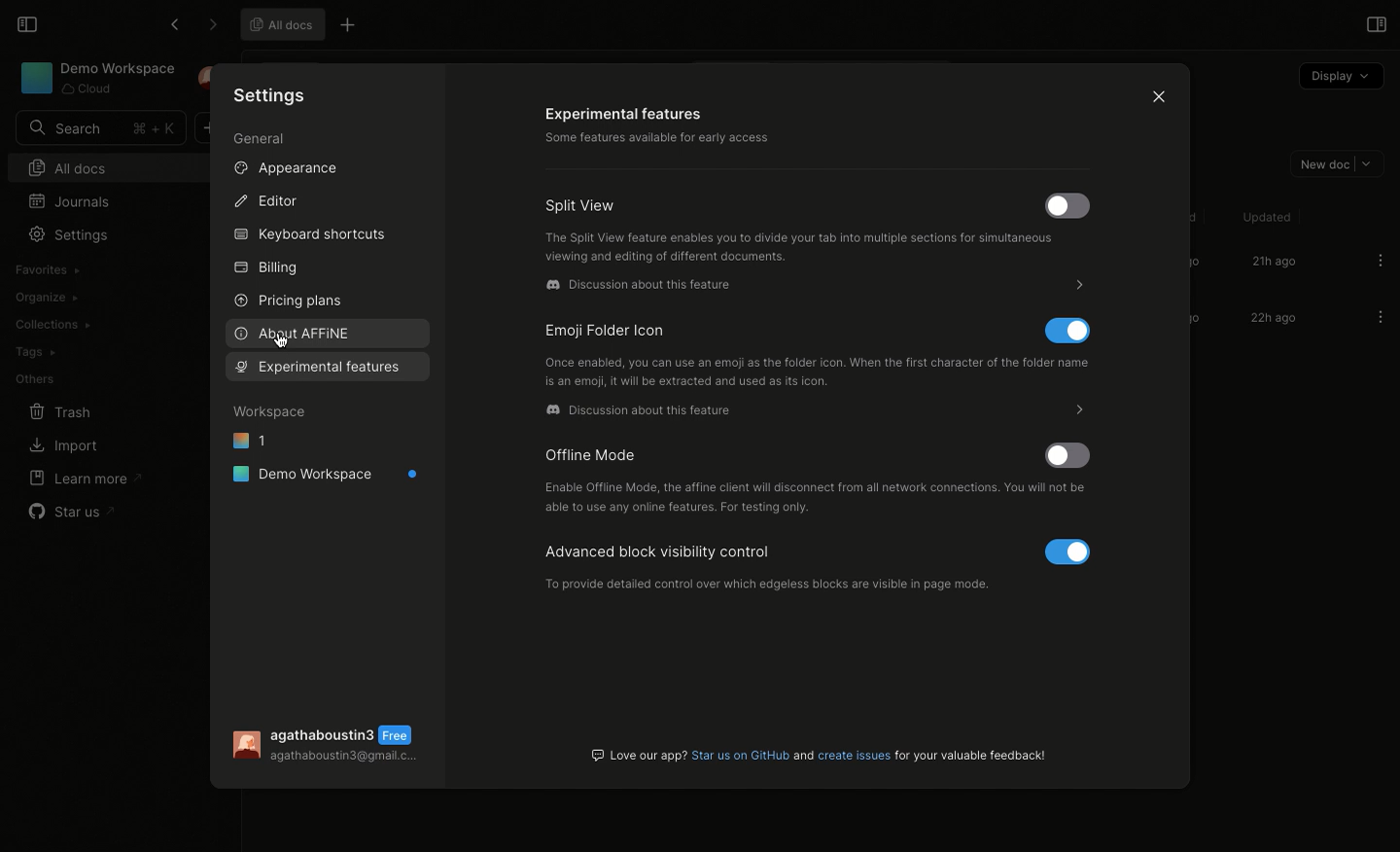  I want to click on Always enable url preview, so click(837, 752).